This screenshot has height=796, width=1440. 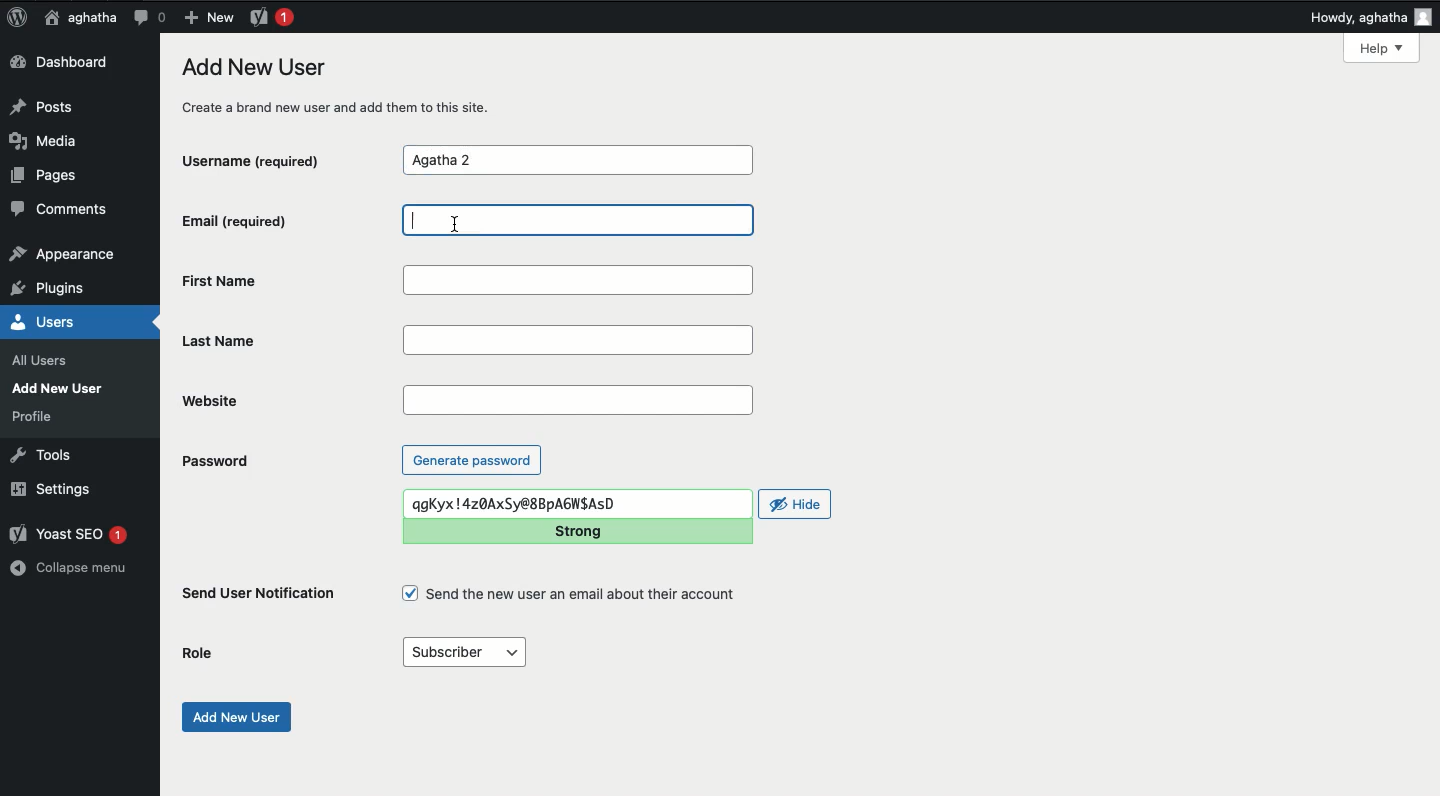 I want to click on appearance, so click(x=63, y=256).